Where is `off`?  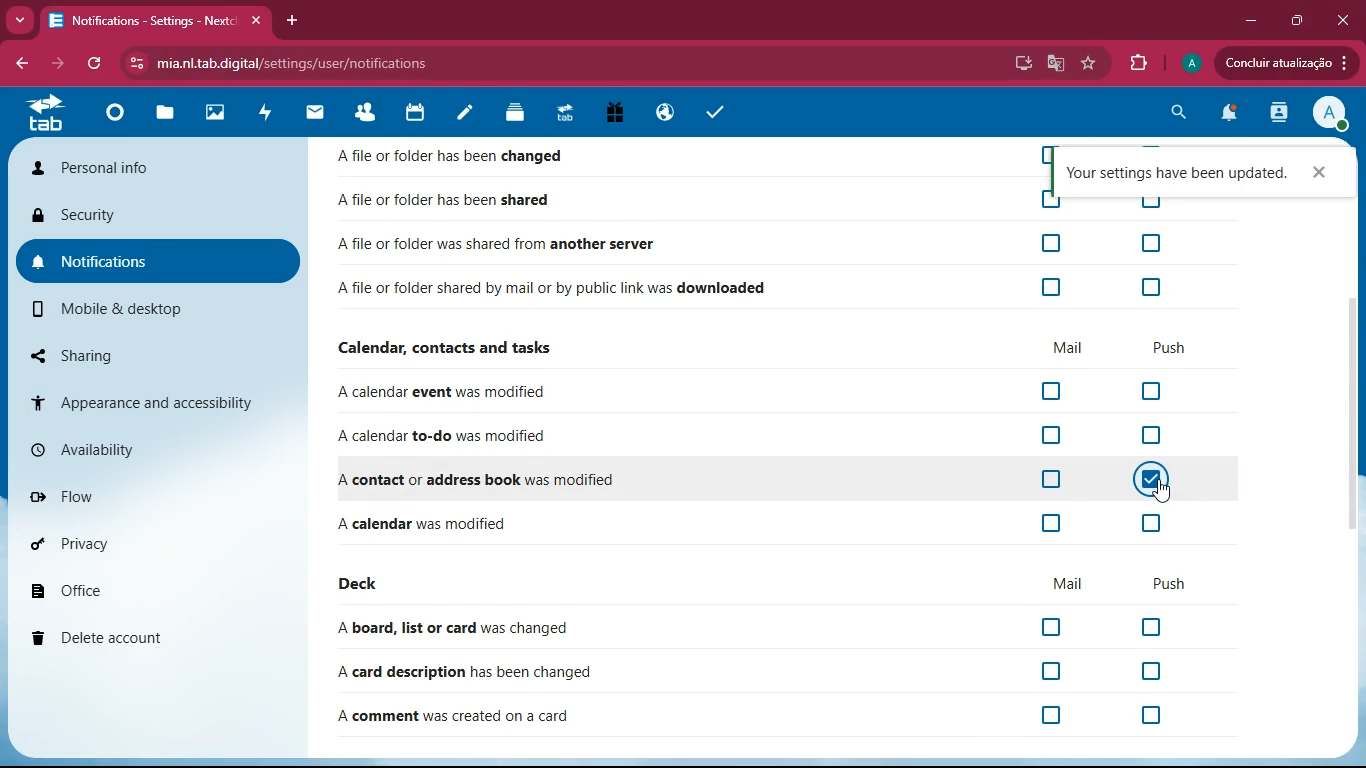
off is located at coordinates (1050, 437).